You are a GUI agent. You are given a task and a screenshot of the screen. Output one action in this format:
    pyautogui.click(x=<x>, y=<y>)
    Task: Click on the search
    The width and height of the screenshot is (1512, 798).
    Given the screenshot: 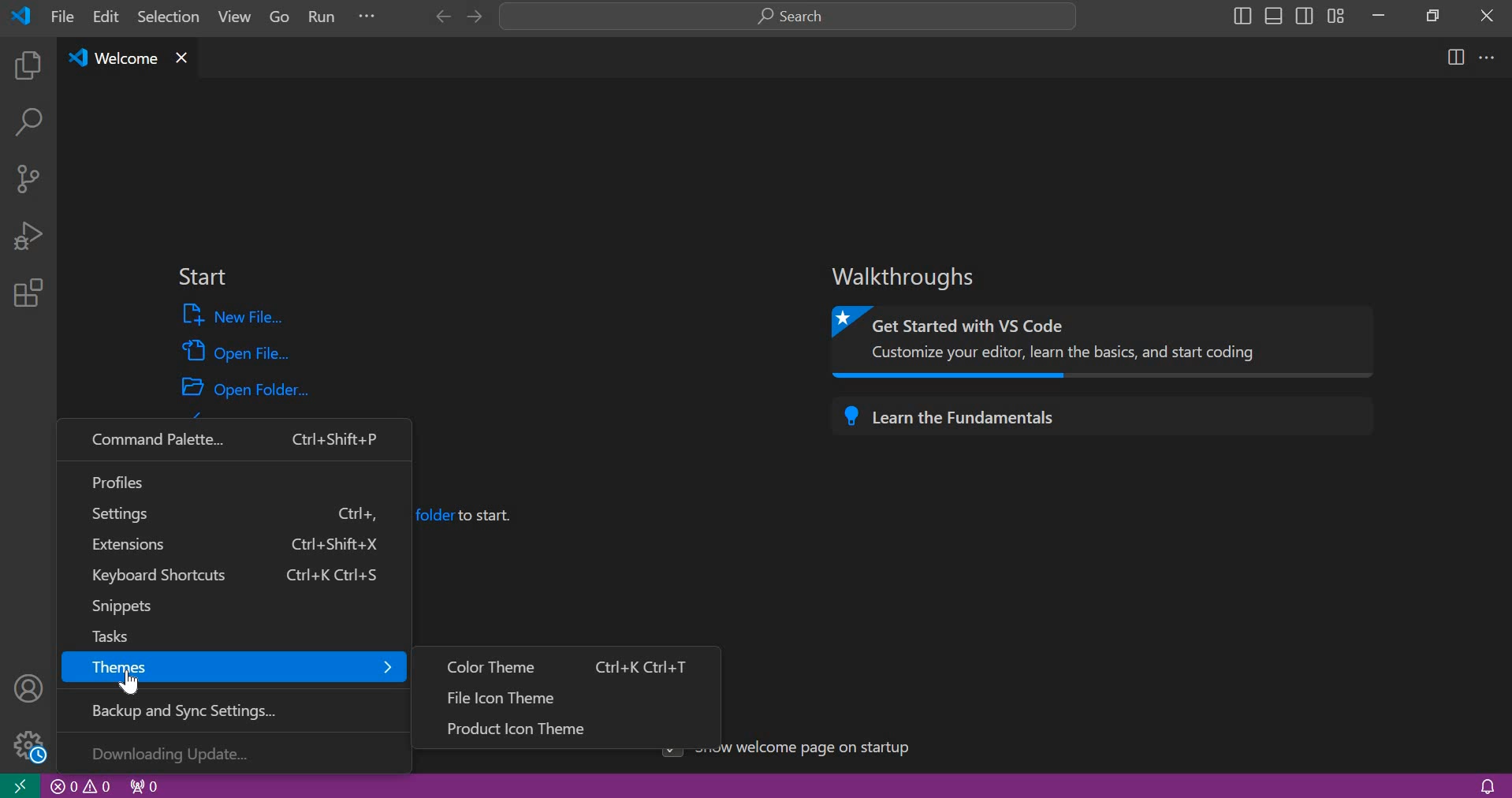 What is the action you would take?
    pyautogui.click(x=28, y=125)
    